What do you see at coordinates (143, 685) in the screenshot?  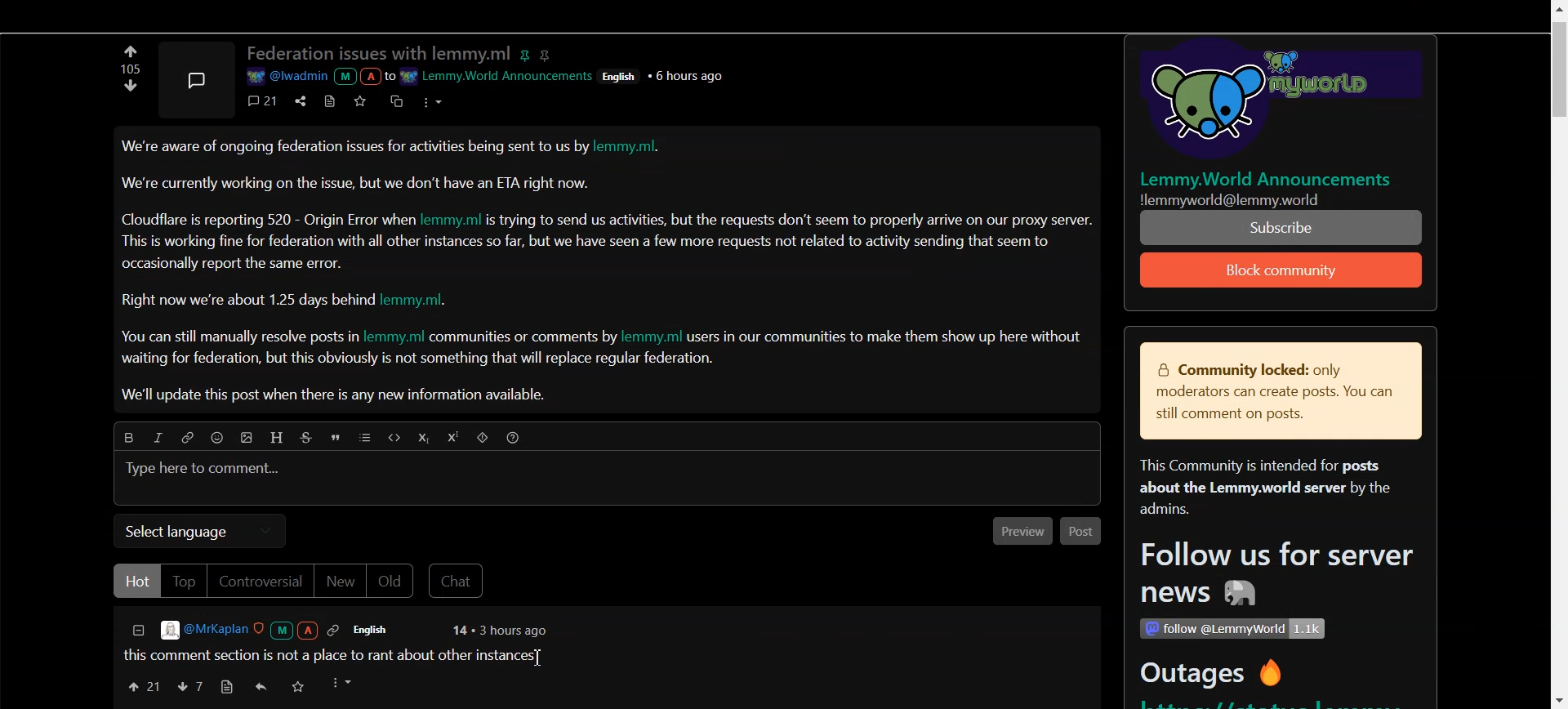 I see `Upvote` at bounding box center [143, 685].